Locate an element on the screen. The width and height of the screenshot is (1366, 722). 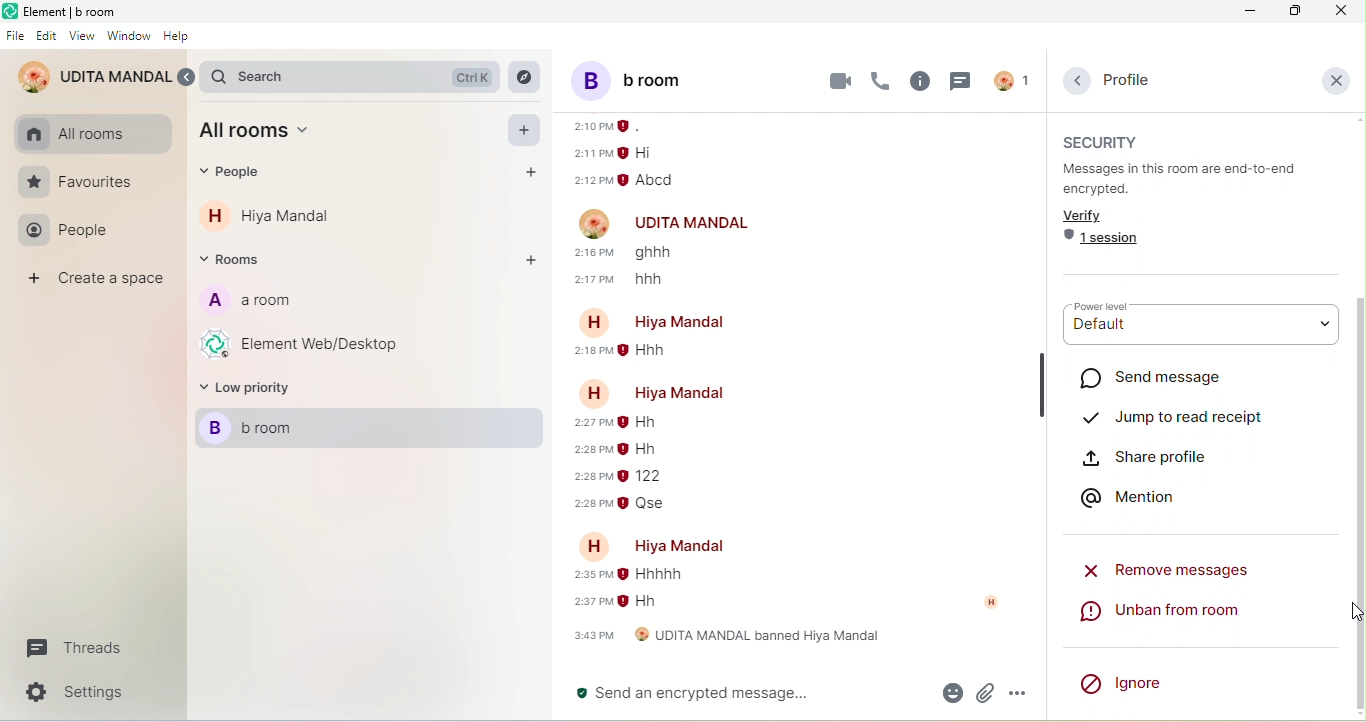
122-older message from hiya mandal is located at coordinates (646, 477).